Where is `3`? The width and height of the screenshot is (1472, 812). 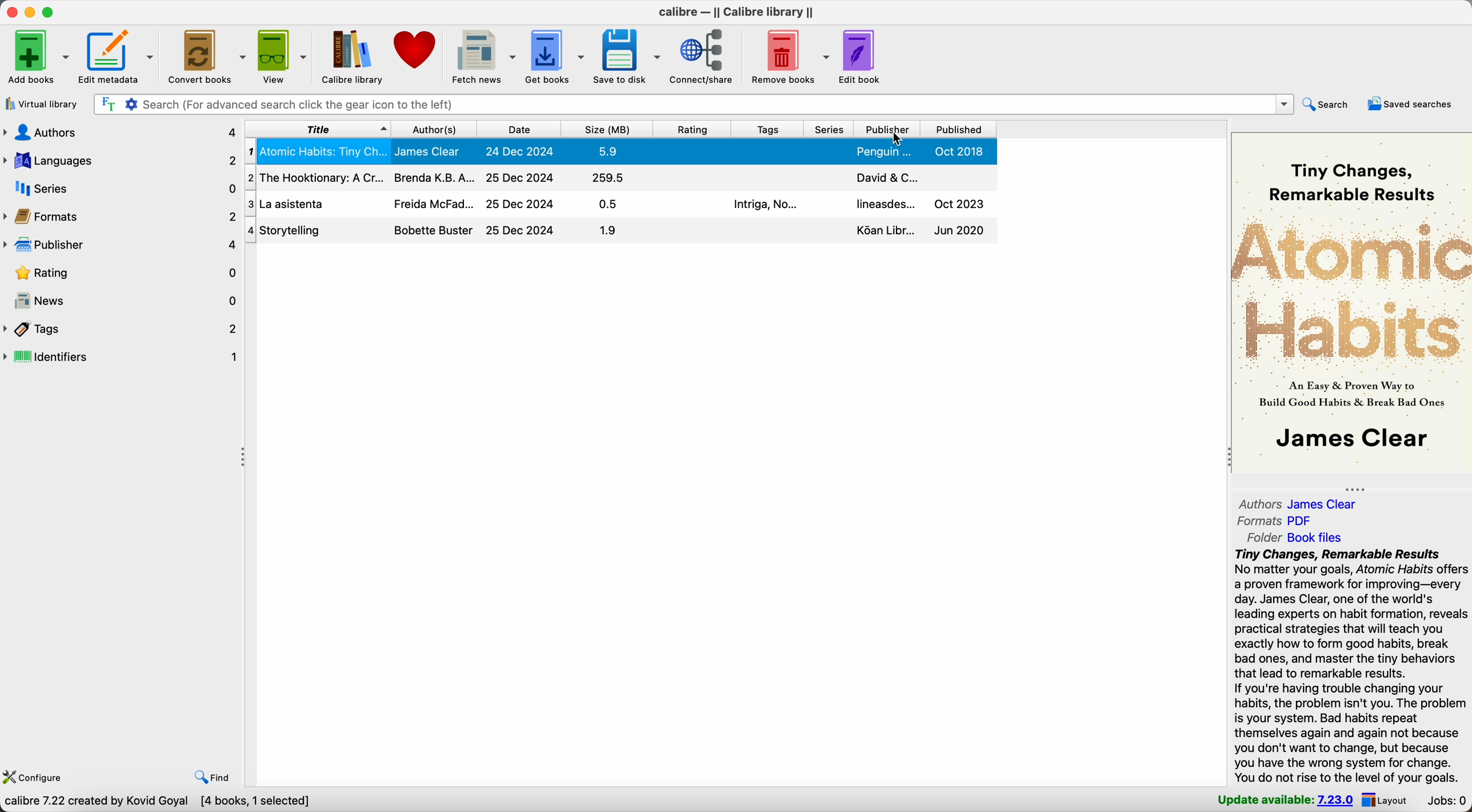 3 is located at coordinates (250, 202).